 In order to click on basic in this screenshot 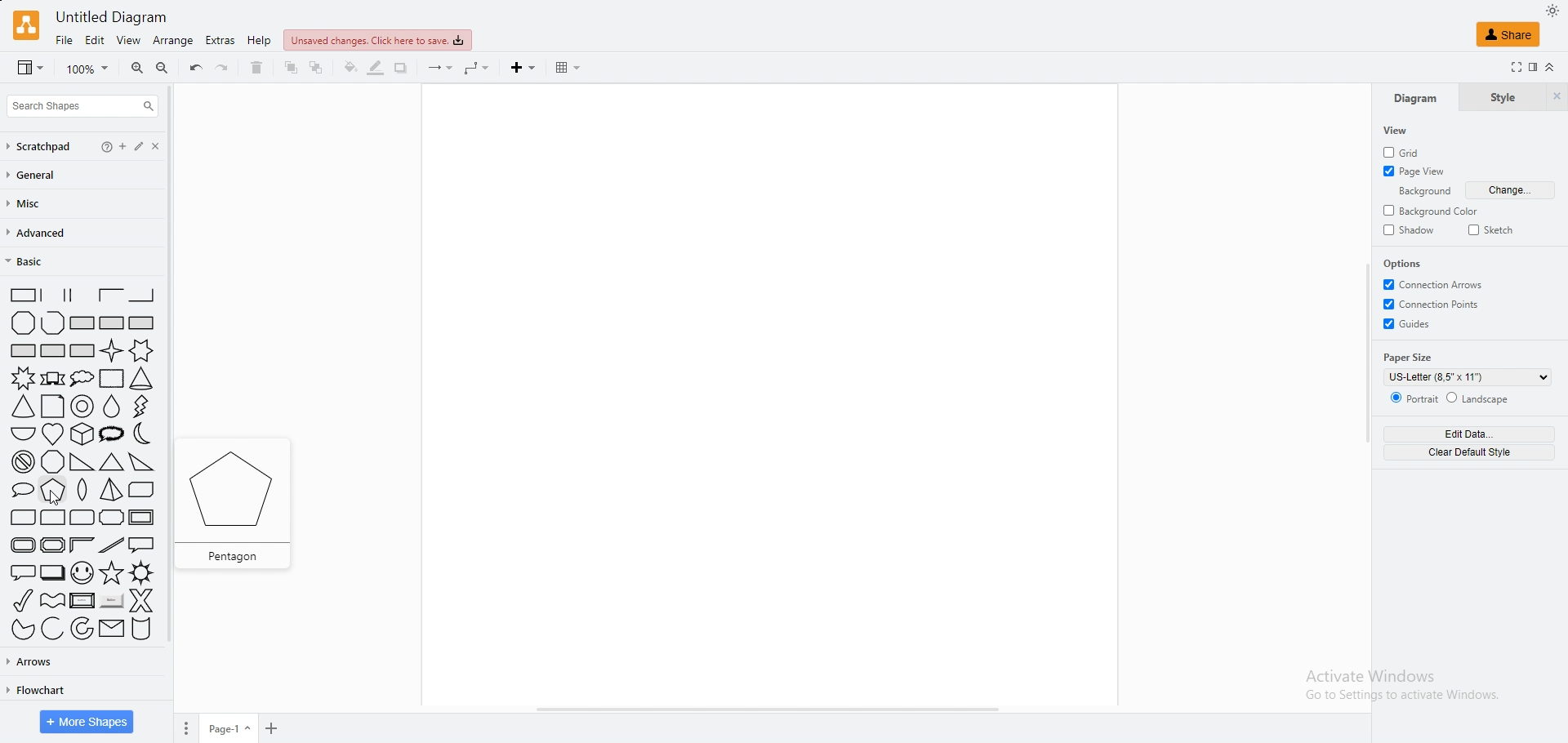, I will do `click(42, 261)`.